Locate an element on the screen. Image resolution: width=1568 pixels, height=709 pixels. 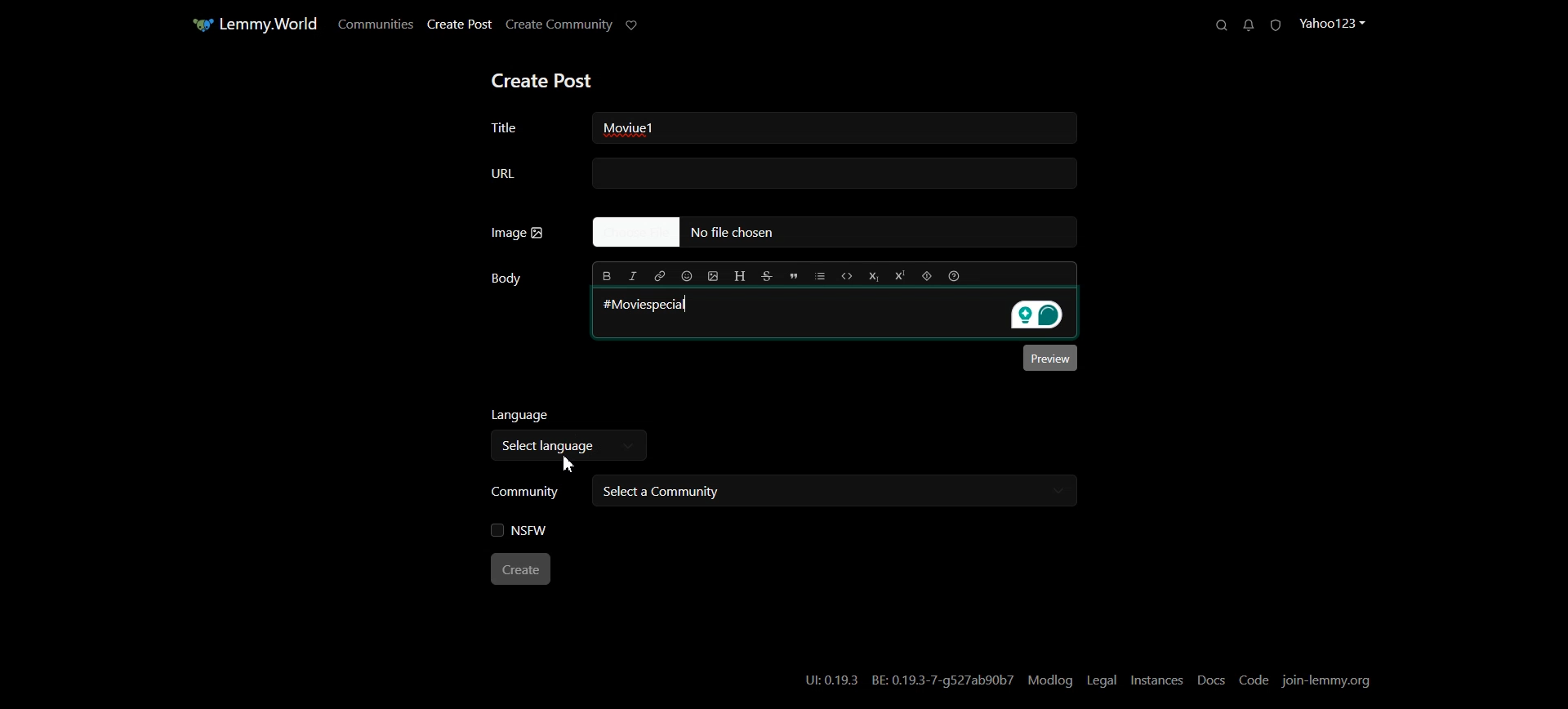
Cursor is located at coordinates (565, 463).